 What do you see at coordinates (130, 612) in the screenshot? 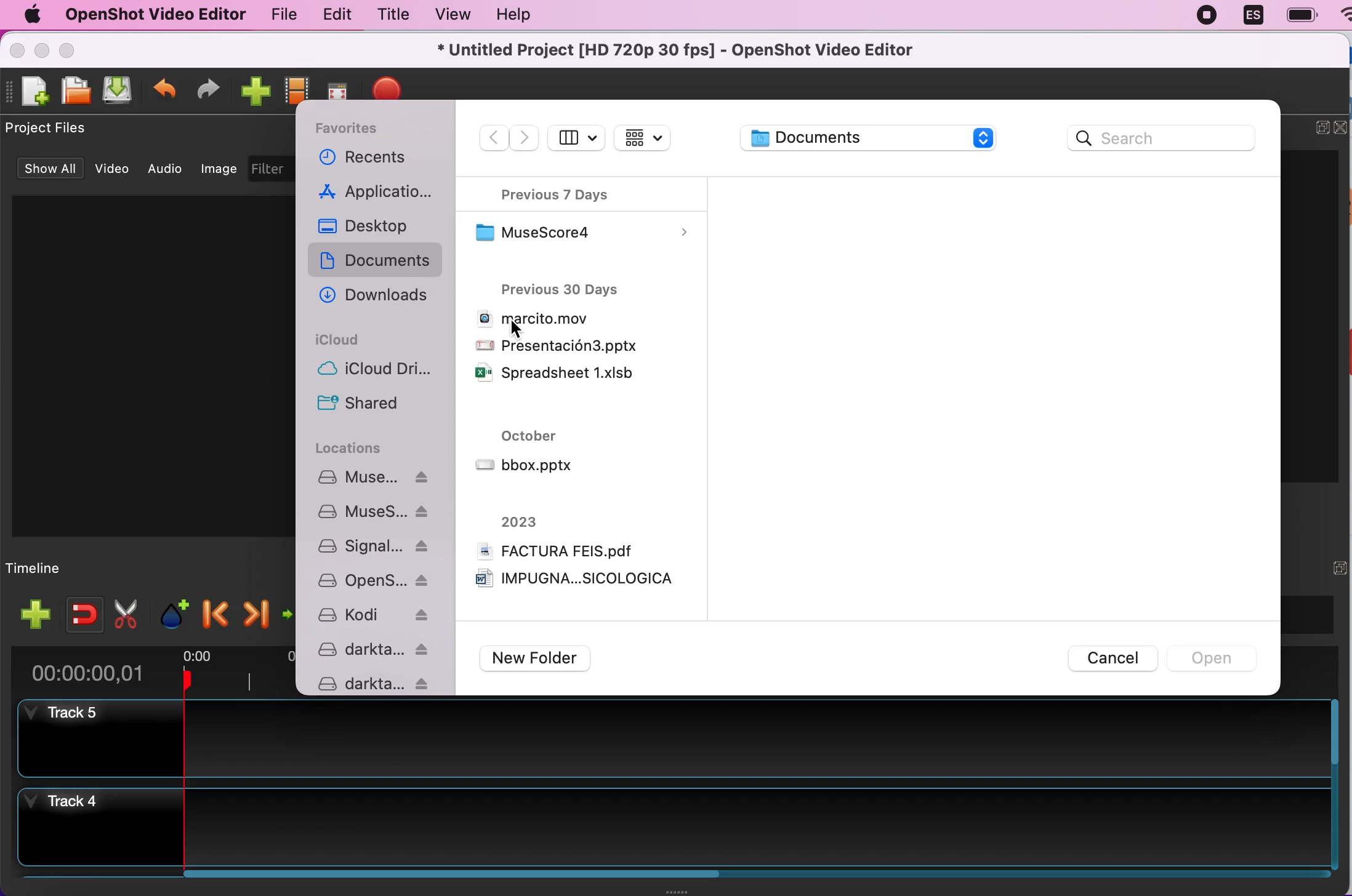
I see `cut` at bounding box center [130, 612].